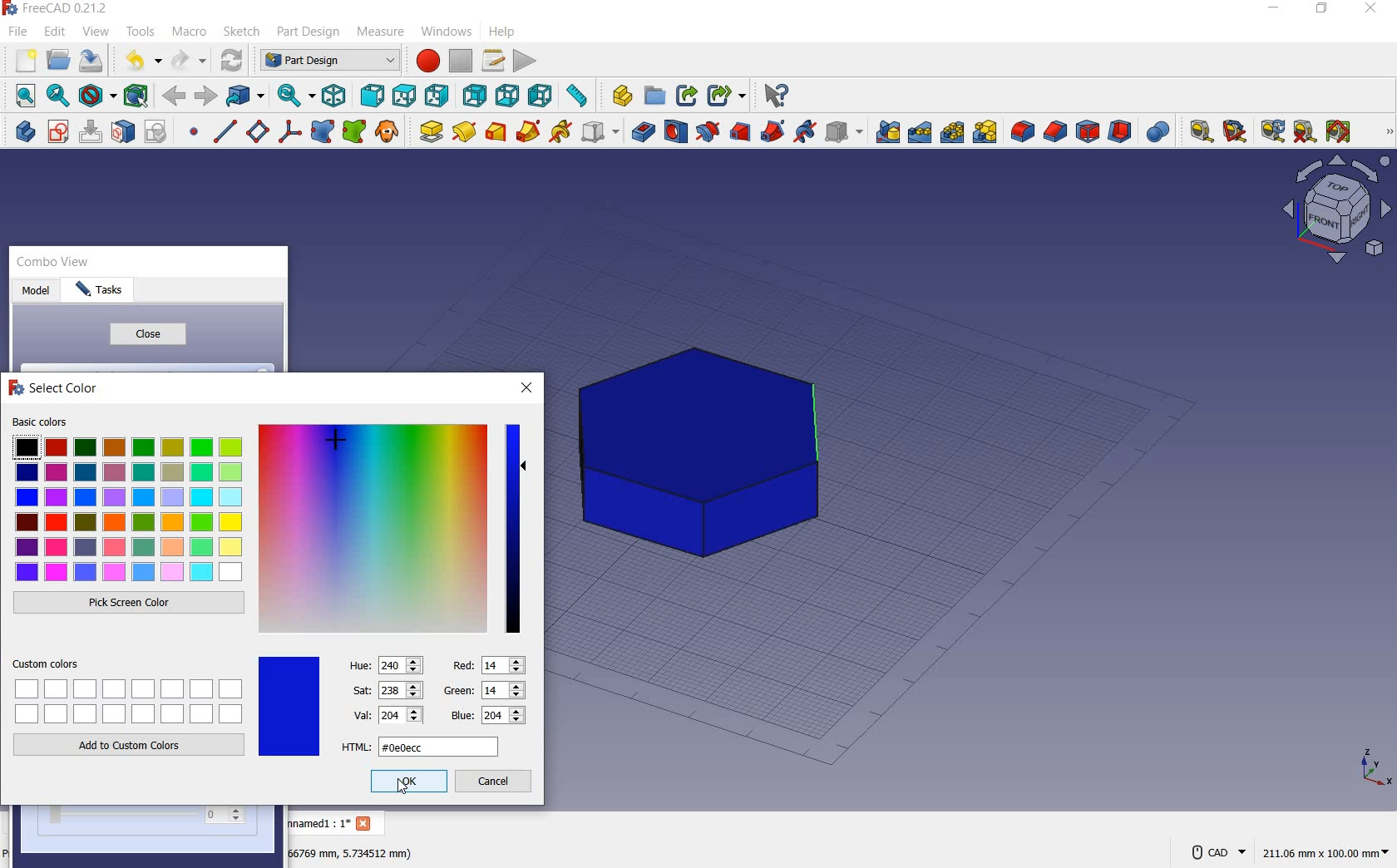 The image size is (1397, 868). Describe the element at coordinates (131, 691) in the screenshot. I see `custom colors` at that location.